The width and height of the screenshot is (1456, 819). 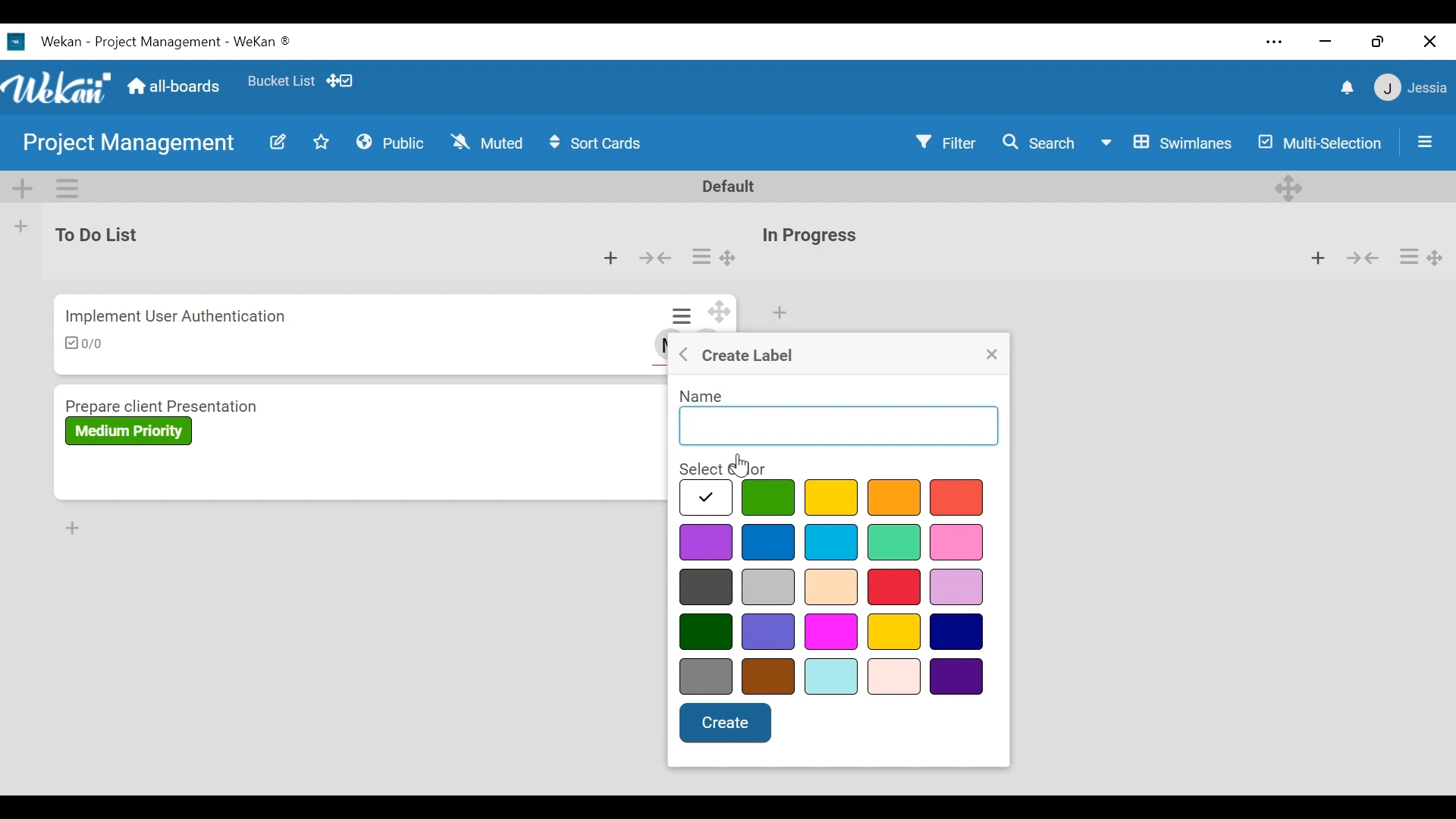 I want to click on Favorites, so click(x=281, y=78).